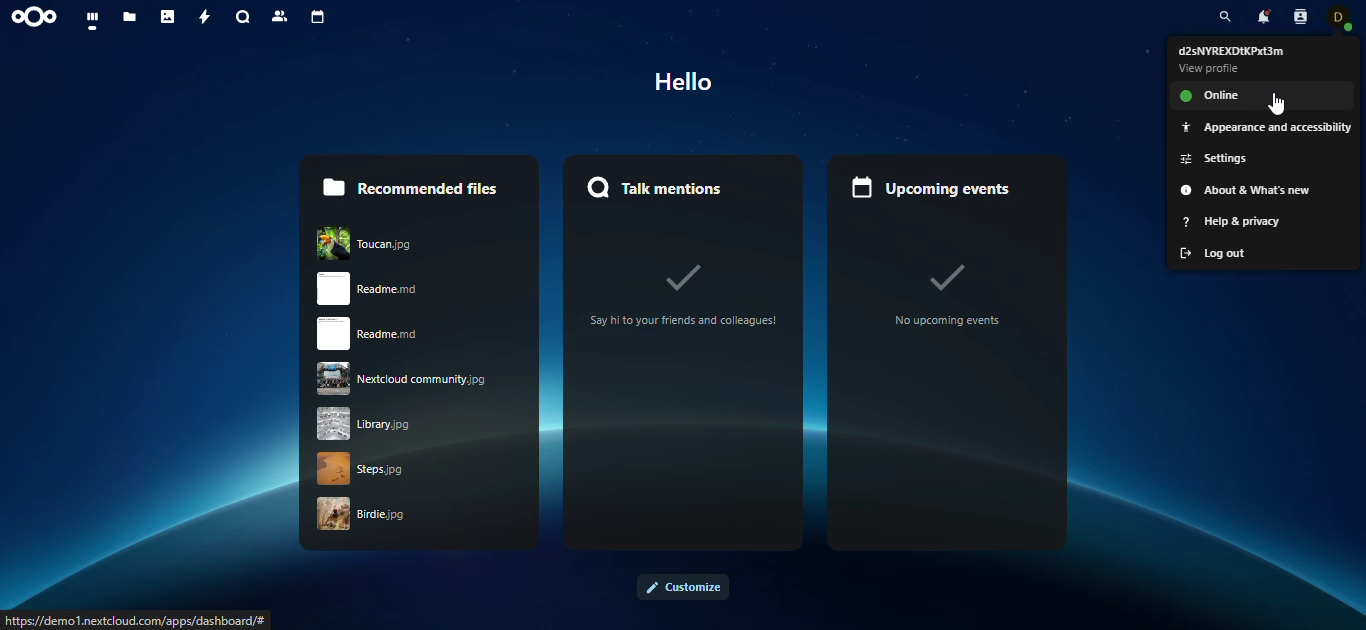 Image resolution: width=1366 pixels, height=630 pixels. I want to click on dashboard, so click(95, 22).